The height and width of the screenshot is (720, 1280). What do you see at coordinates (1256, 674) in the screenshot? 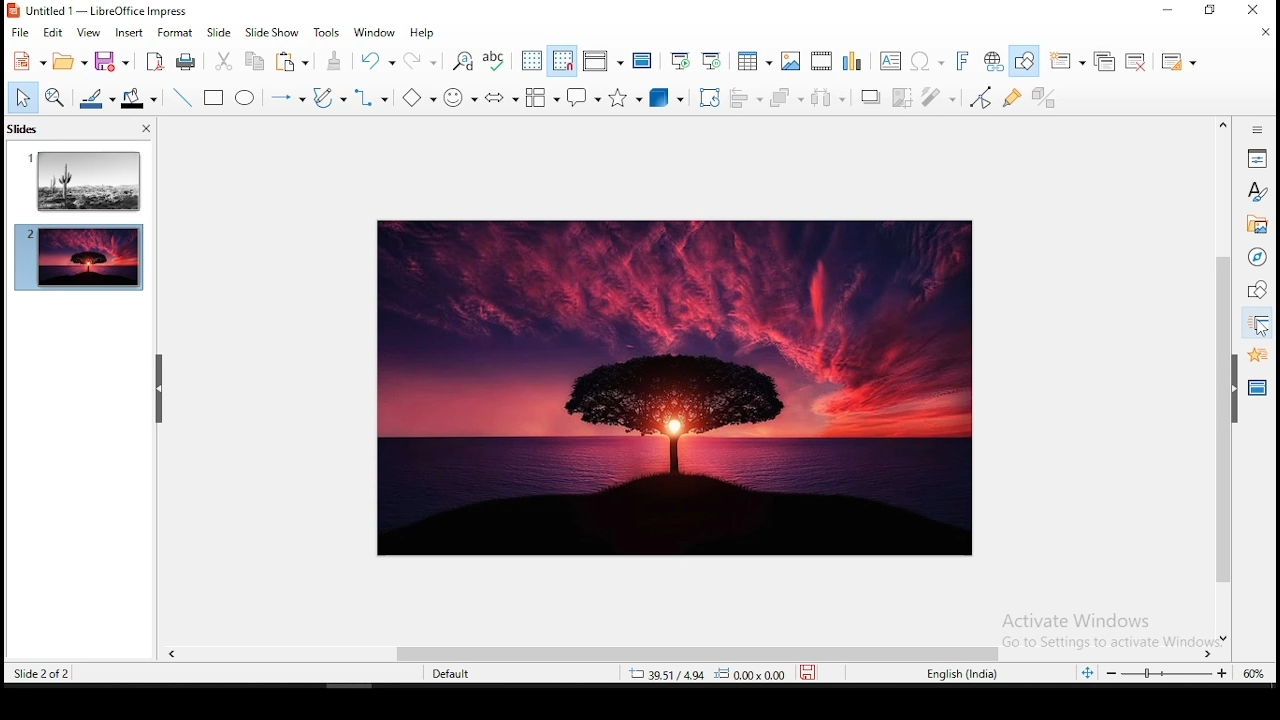
I see `zoom level` at bounding box center [1256, 674].